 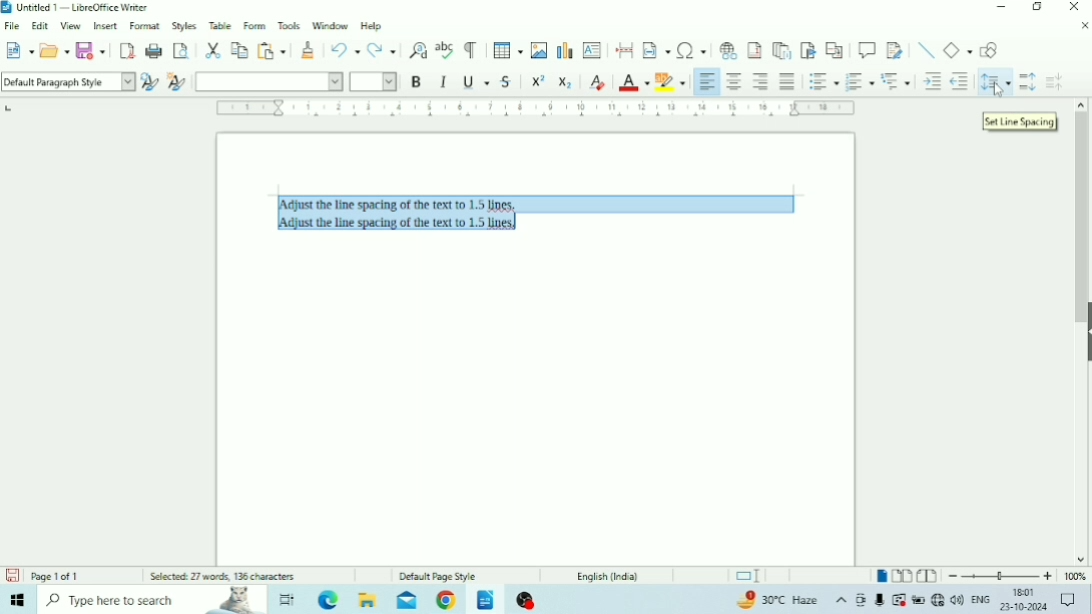 What do you see at coordinates (126, 51) in the screenshot?
I see `Export as PDF` at bounding box center [126, 51].